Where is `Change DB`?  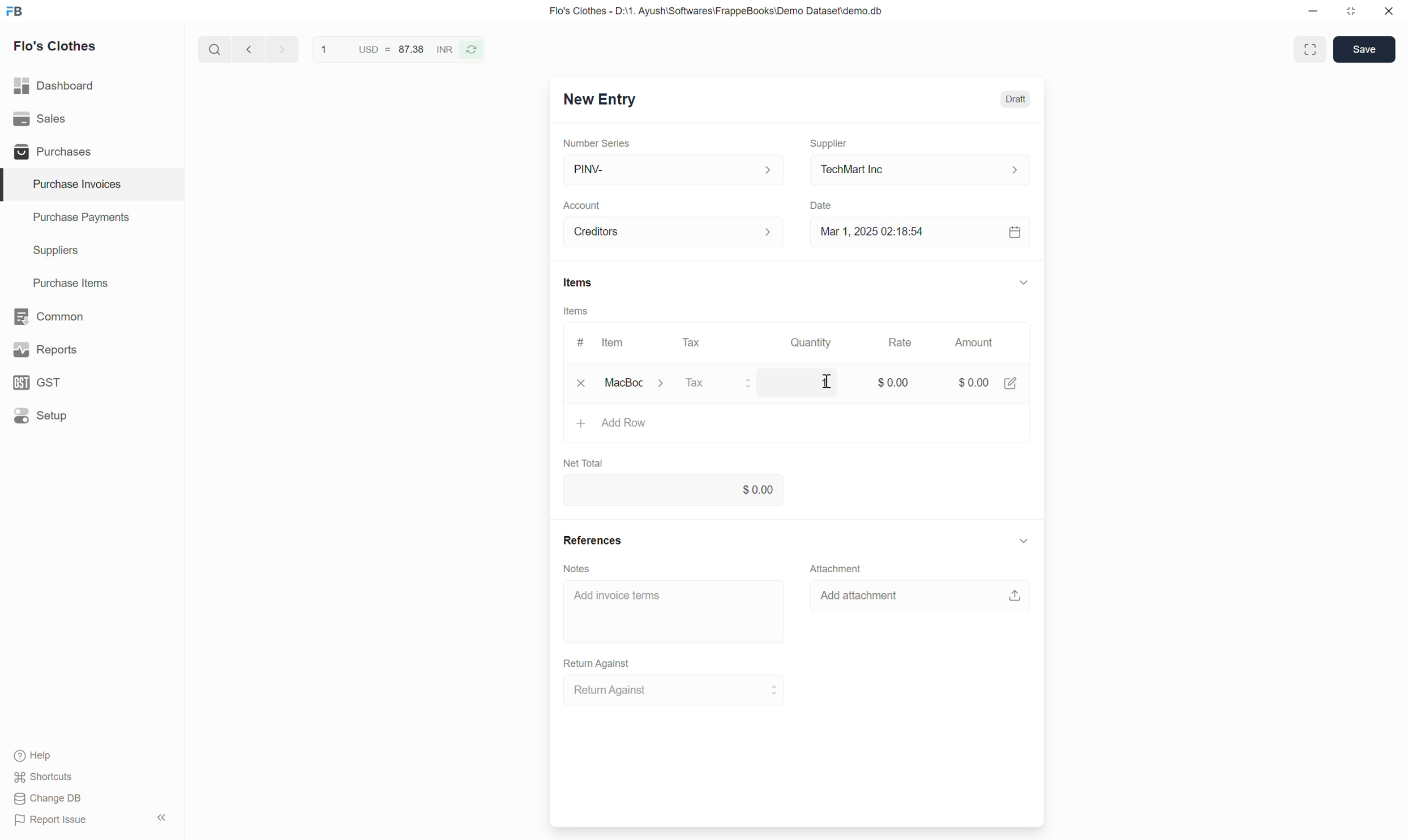 Change DB is located at coordinates (49, 798).